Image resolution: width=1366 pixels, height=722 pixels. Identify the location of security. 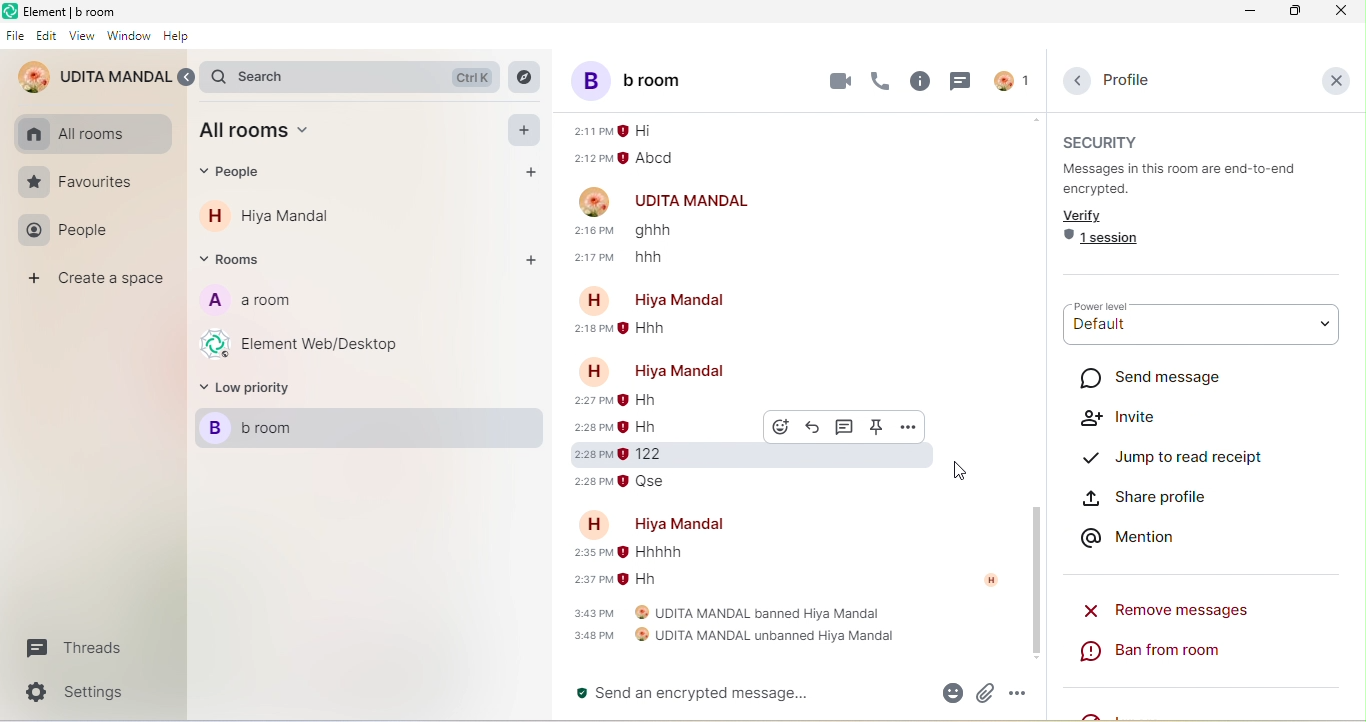
(1107, 141).